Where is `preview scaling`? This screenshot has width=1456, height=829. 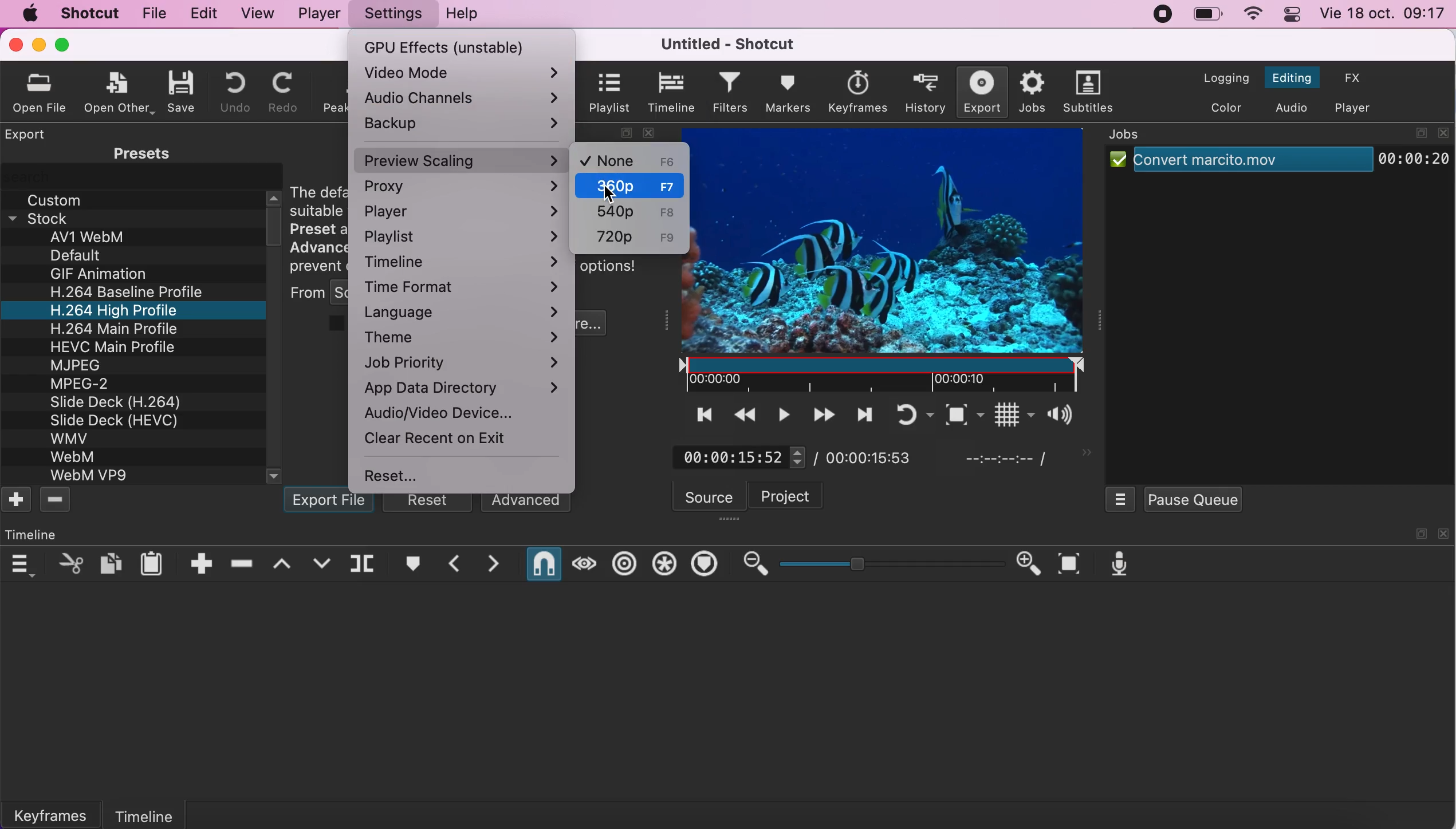 preview scaling is located at coordinates (461, 159).